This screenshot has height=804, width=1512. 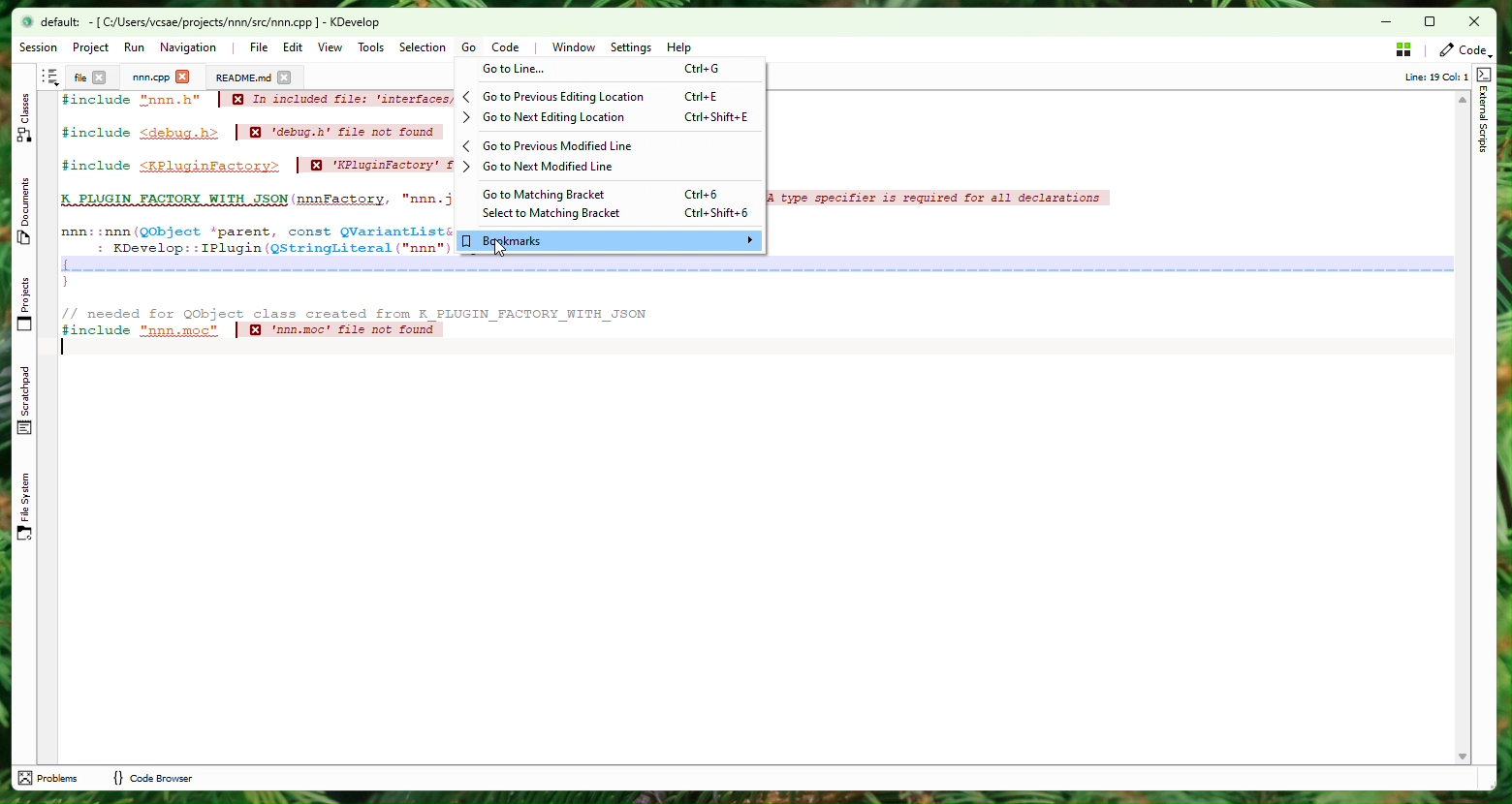 I want to click on , so click(x=1415, y=77).